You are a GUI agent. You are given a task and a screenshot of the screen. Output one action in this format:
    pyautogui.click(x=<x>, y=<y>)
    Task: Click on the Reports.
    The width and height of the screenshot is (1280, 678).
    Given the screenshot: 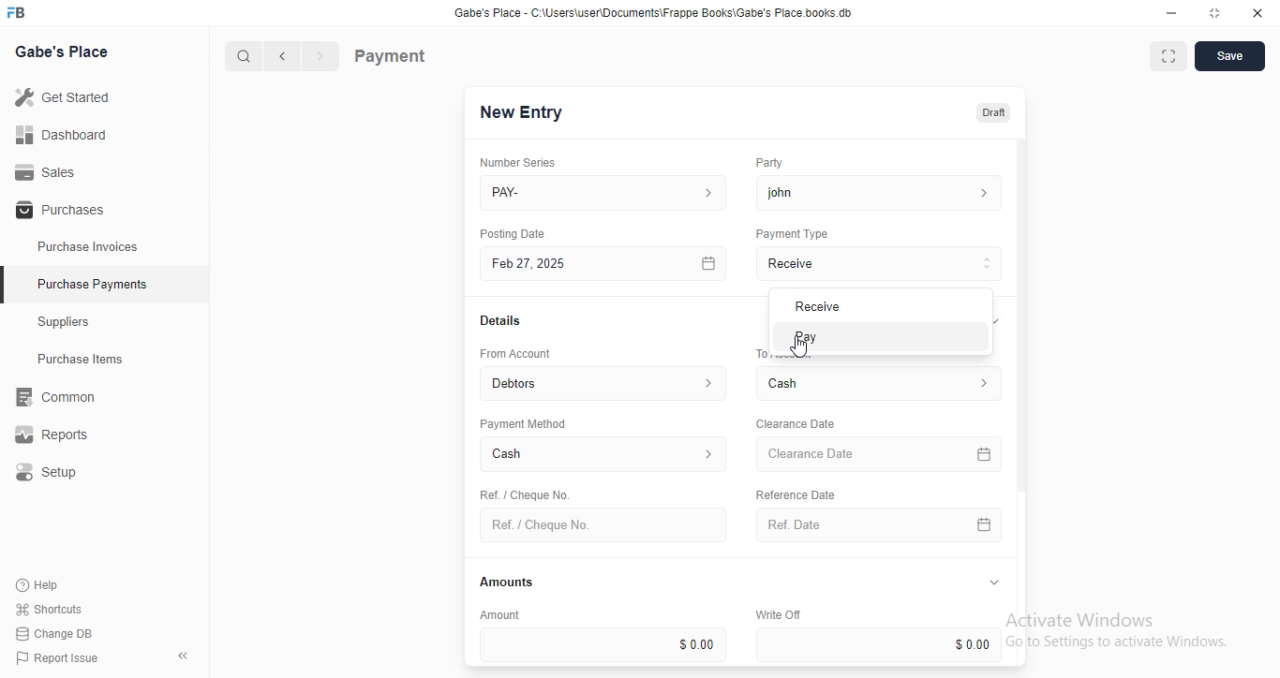 What is the action you would take?
    pyautogui.click(x=59, y=435)
    